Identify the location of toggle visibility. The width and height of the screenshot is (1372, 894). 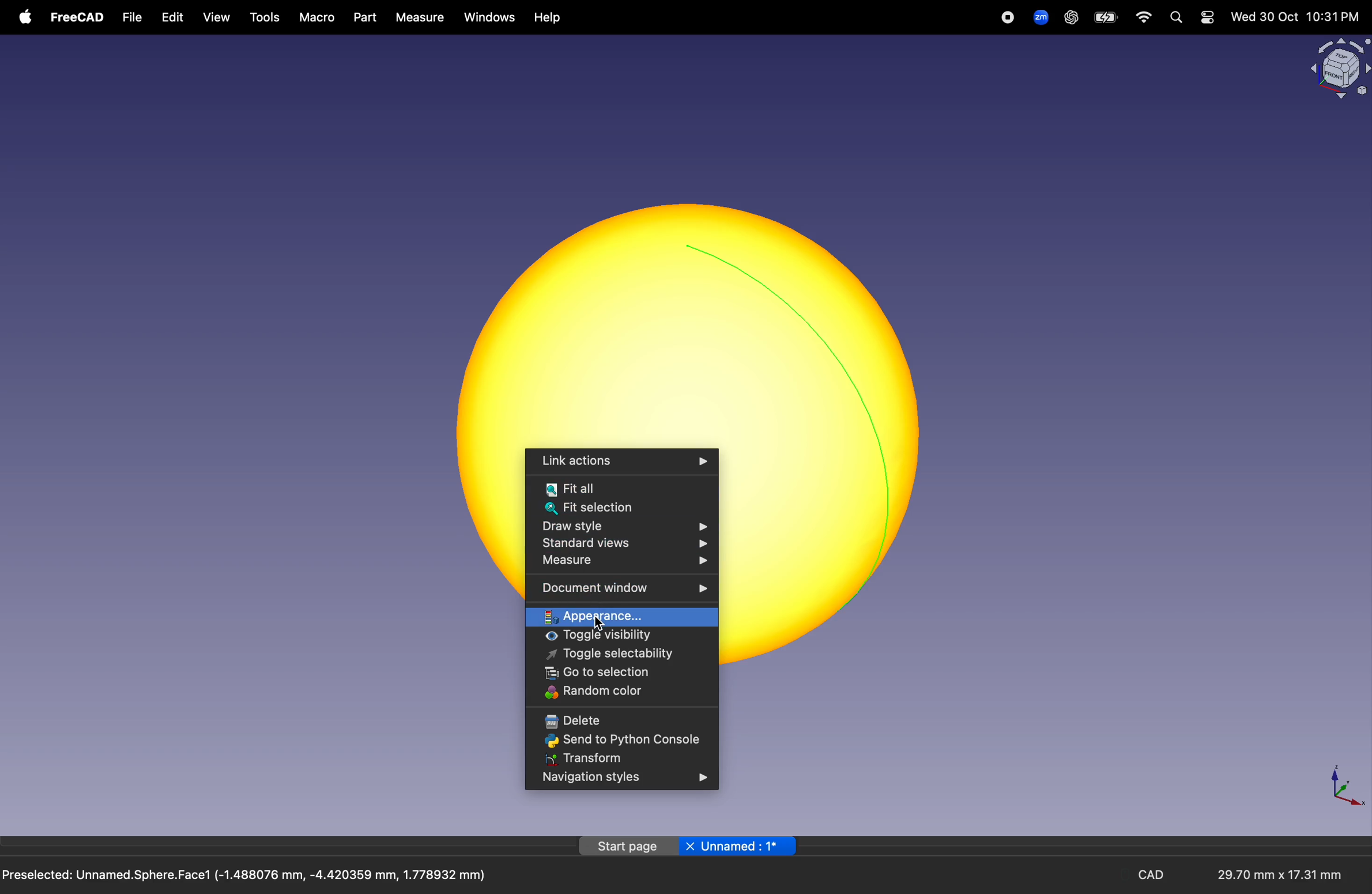
(631, 637).